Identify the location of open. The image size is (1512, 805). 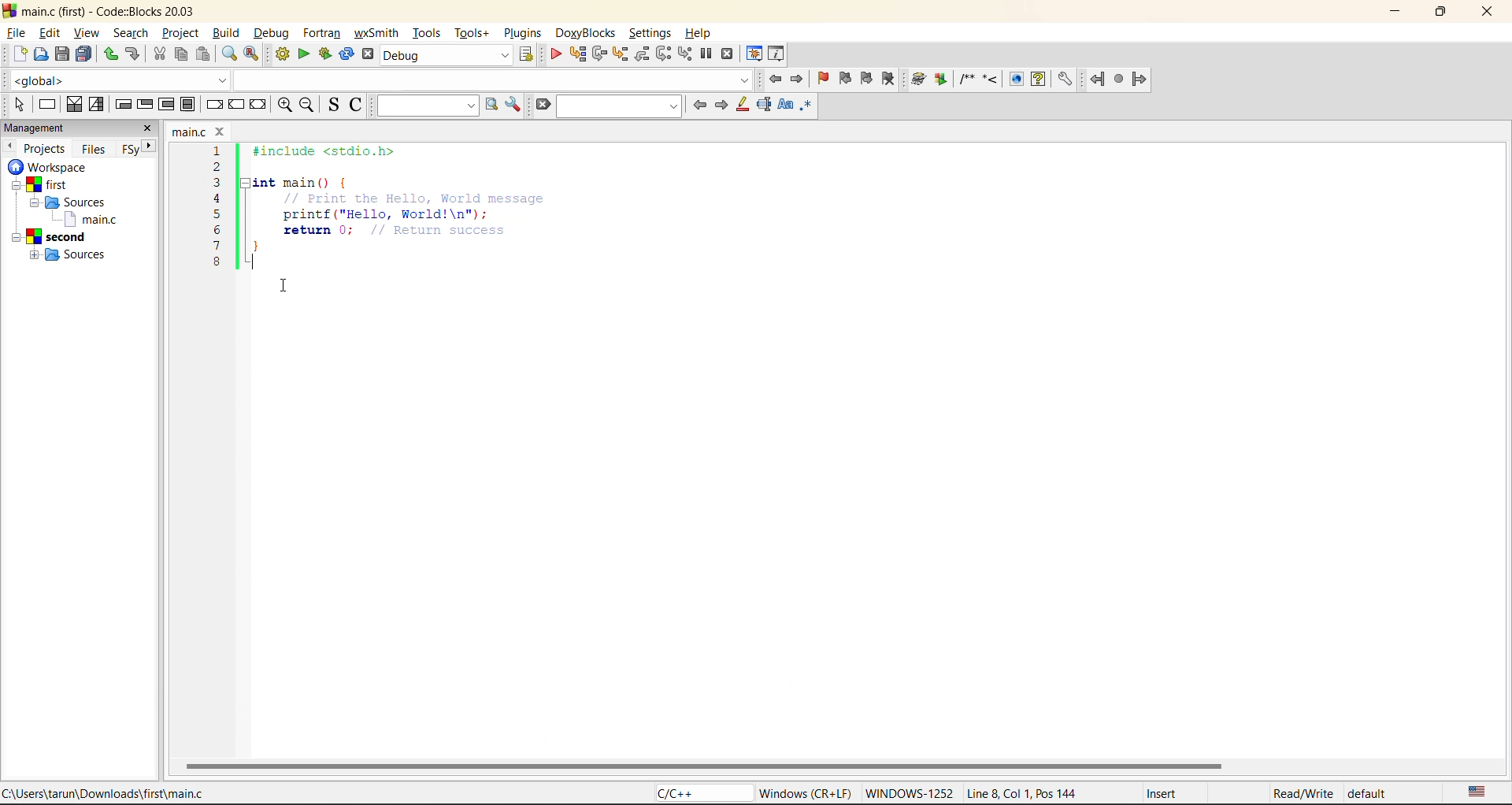
(40, 54).